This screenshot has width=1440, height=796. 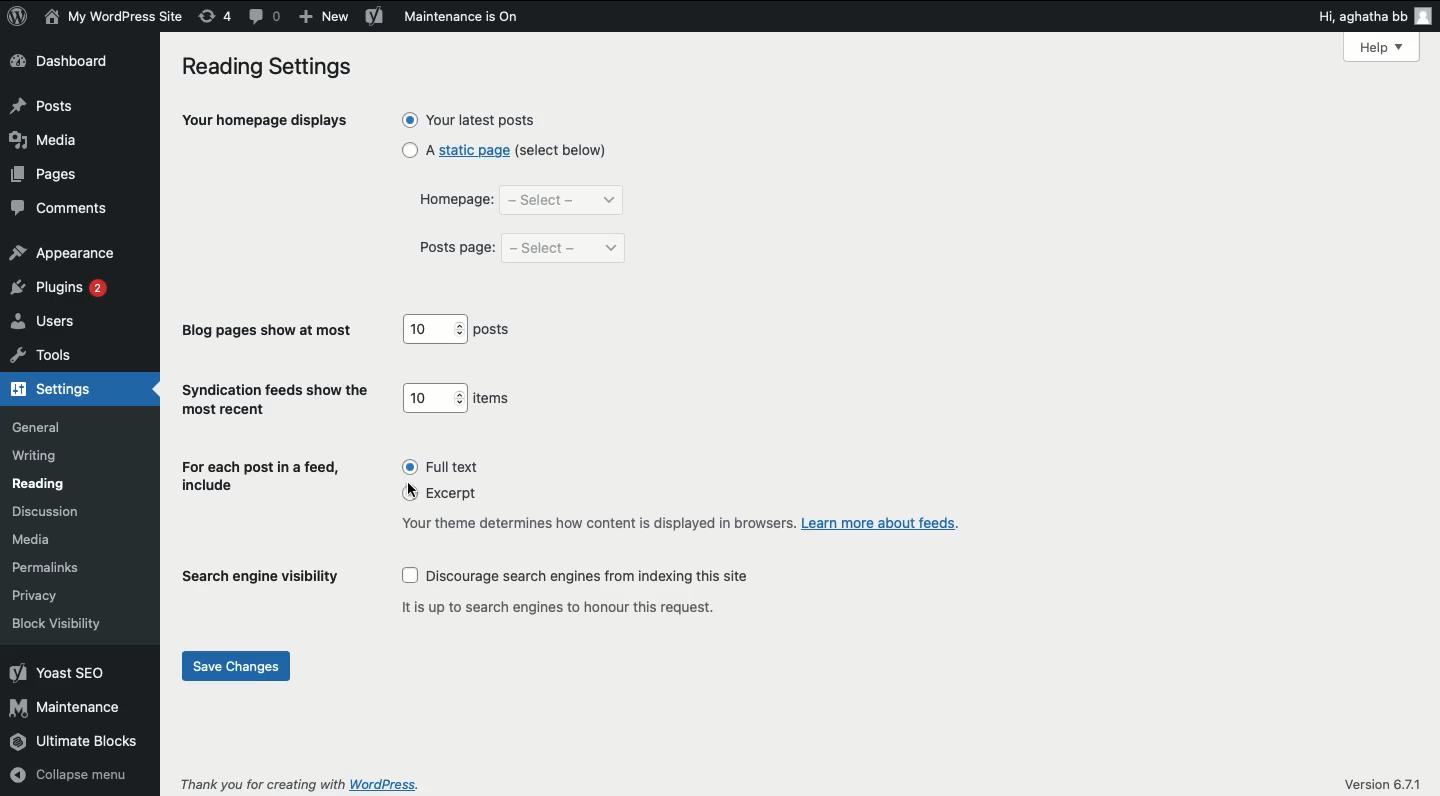 What do you see at coordinates (437, 398) in the screenshot?
I see `10` at bounding box center [437, 398].